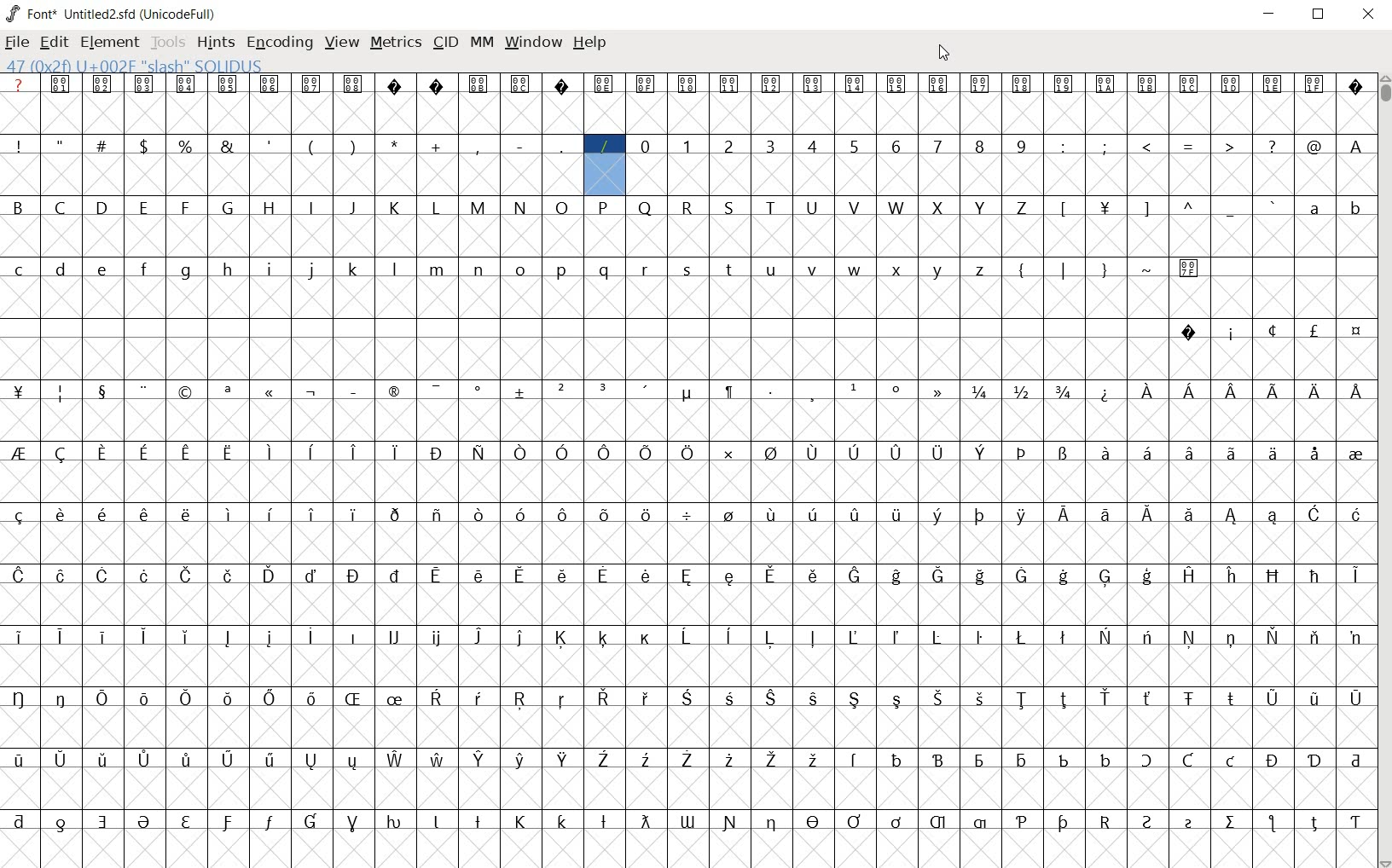 The width and height of the screenshot is (1392, 868). What do you see at coordinates (185, 146) in the screenshot?
I see `glyph` at bounding box center [185, 146].